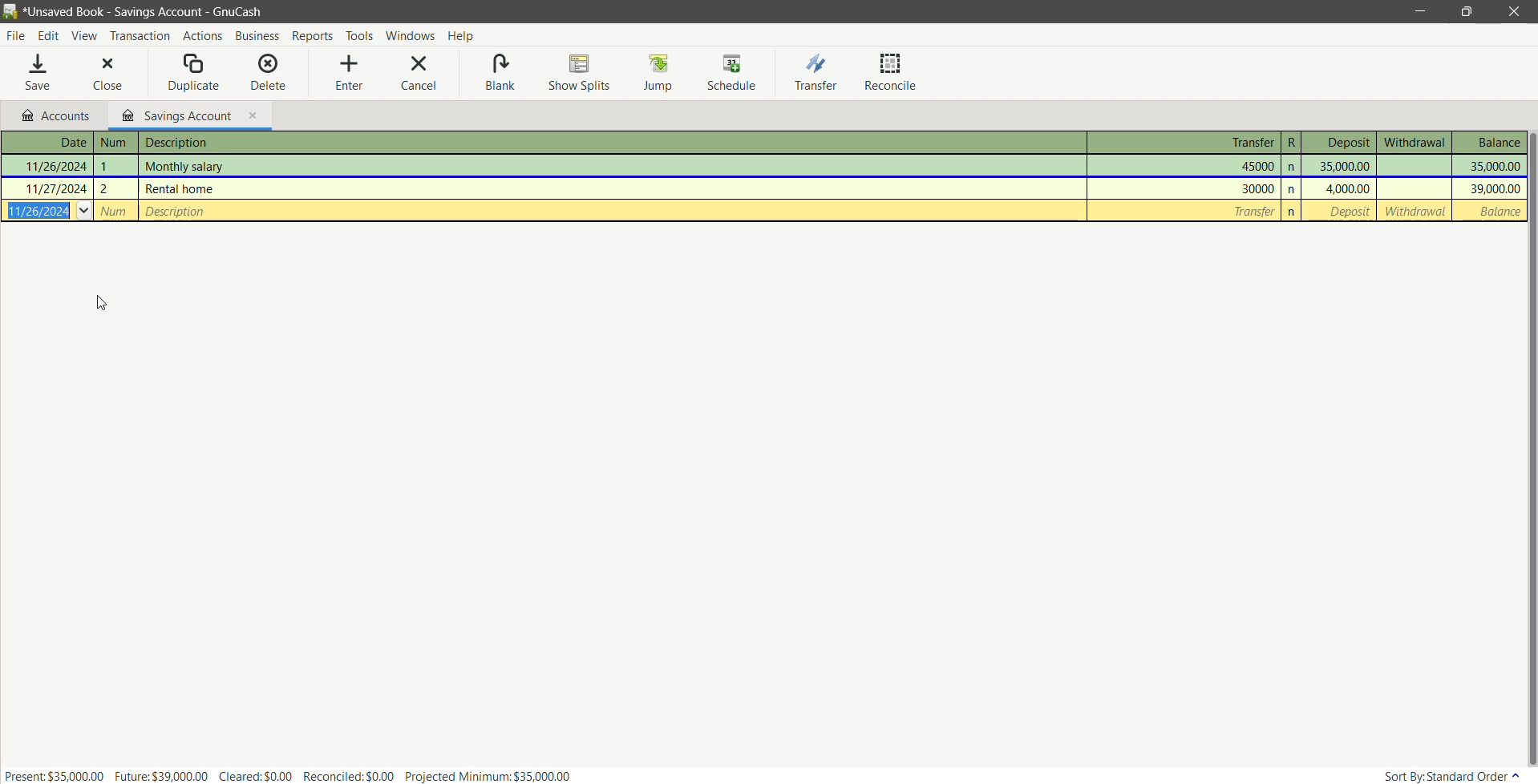  I want to click on Blank, so click(500, 74).